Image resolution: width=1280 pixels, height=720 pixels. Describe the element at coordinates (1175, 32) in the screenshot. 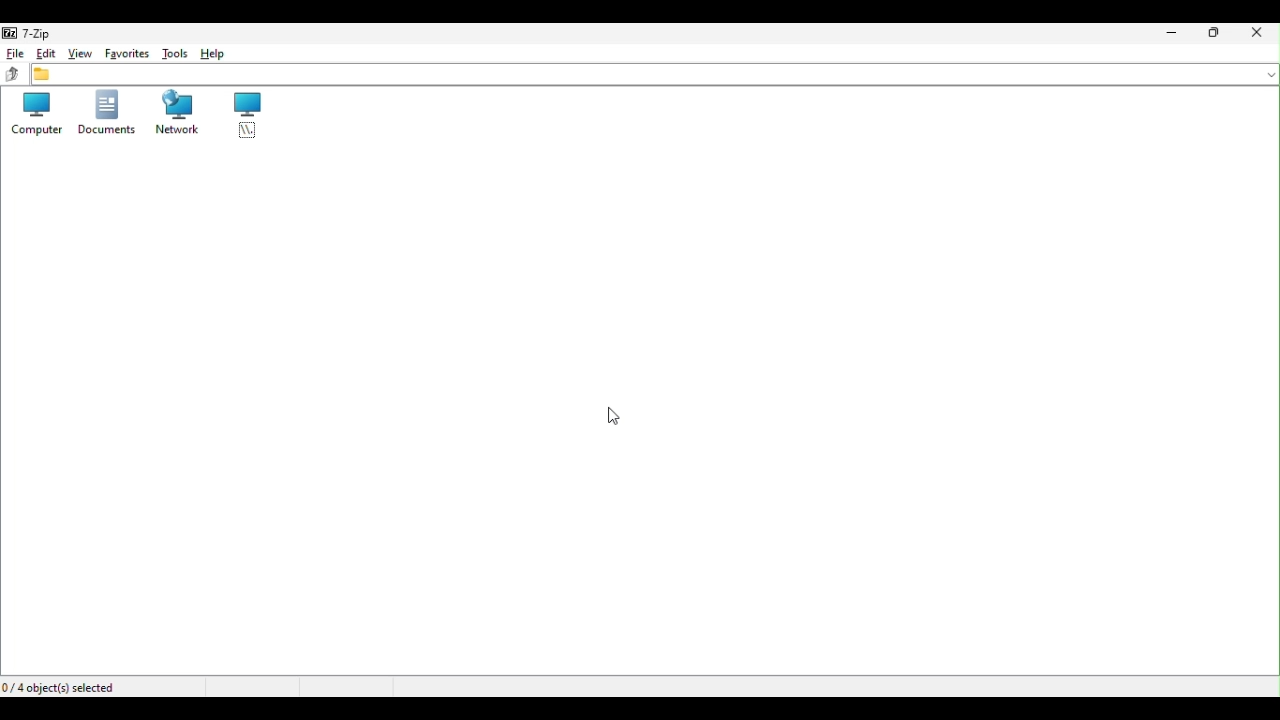

I see `minimize` at that location.